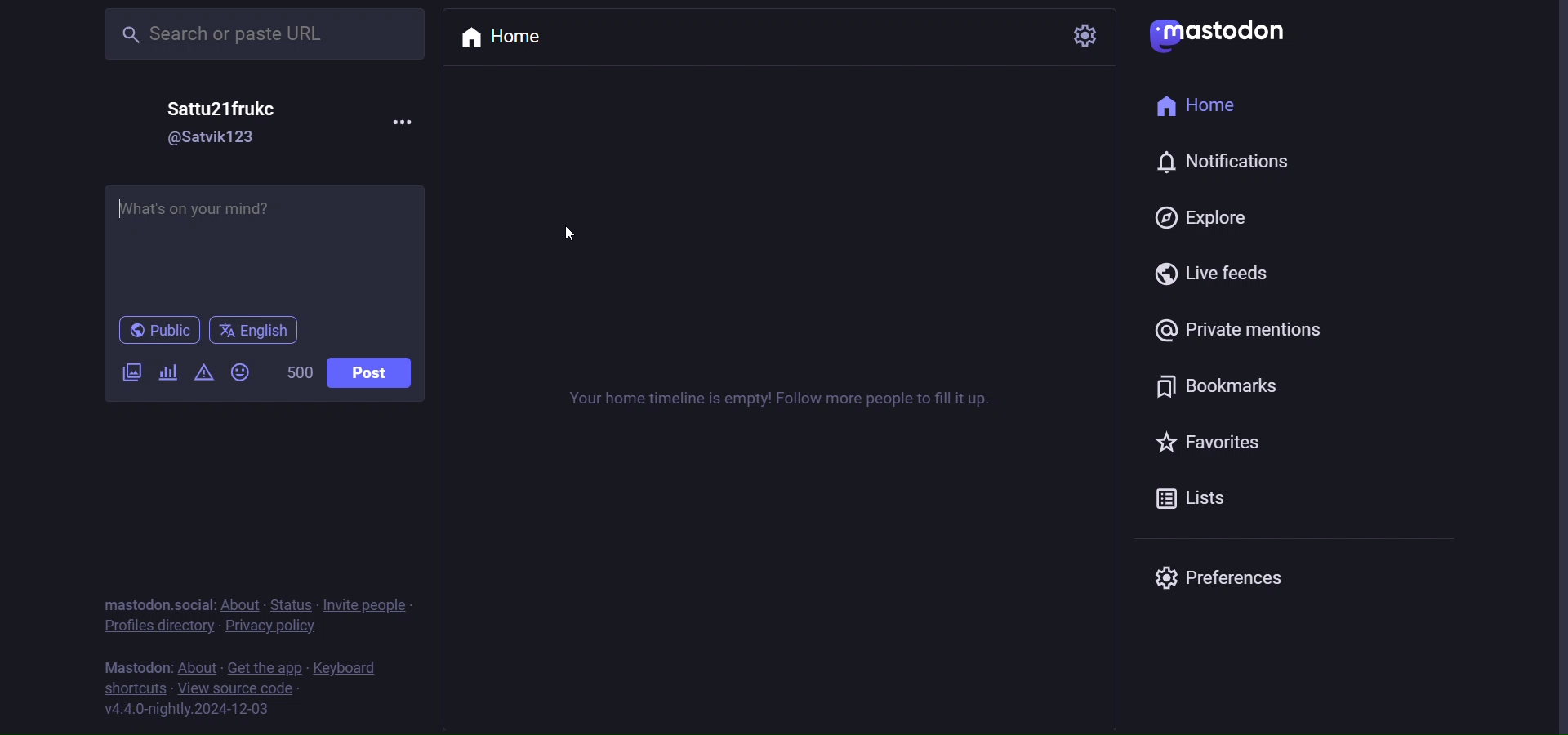  What do you see at coordinates (1187, 497) in the screenshot?
I see `lists` at bounding box center [1187, 497].